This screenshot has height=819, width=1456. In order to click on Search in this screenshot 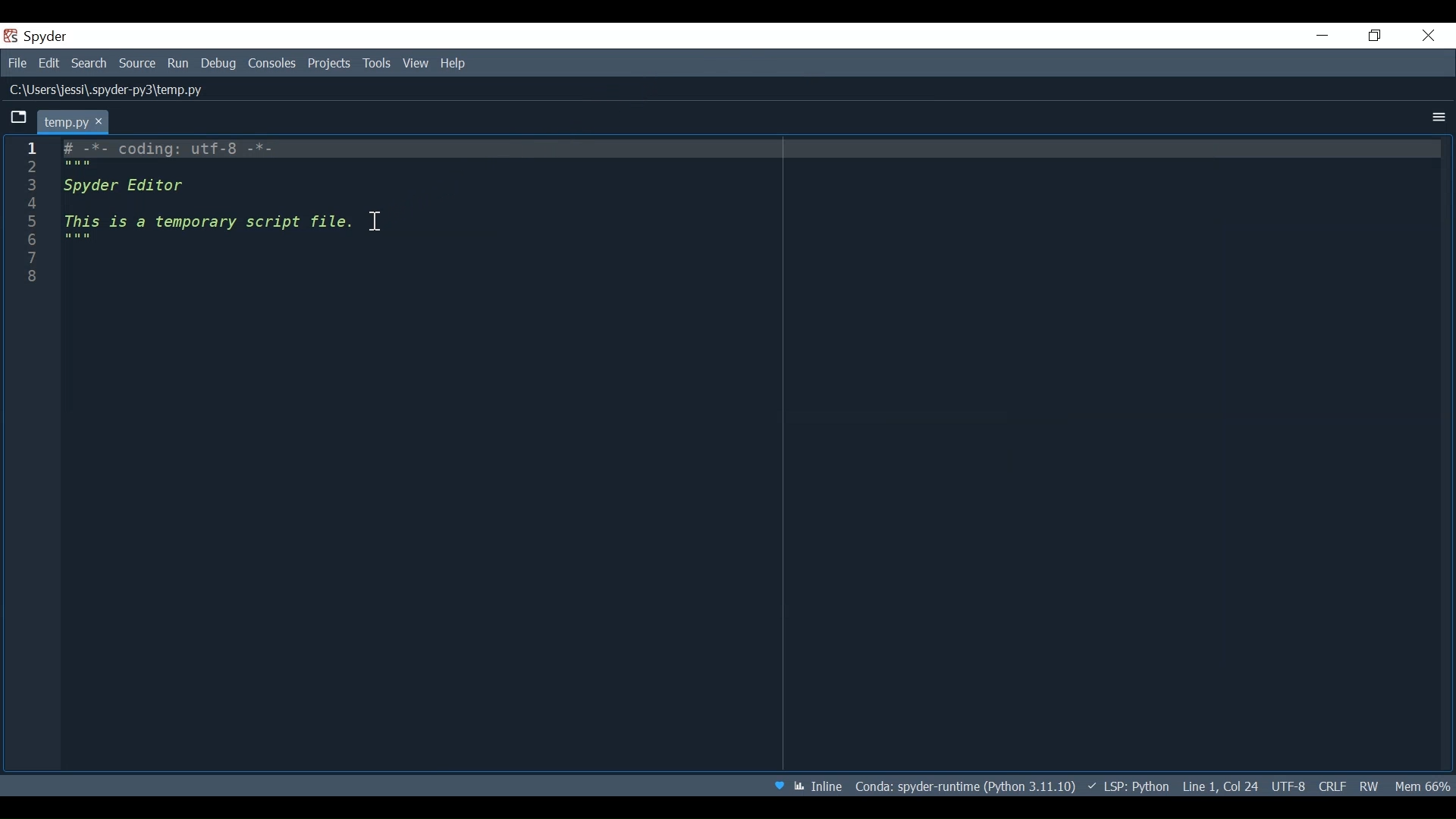, I will do `click(90, 64)`.